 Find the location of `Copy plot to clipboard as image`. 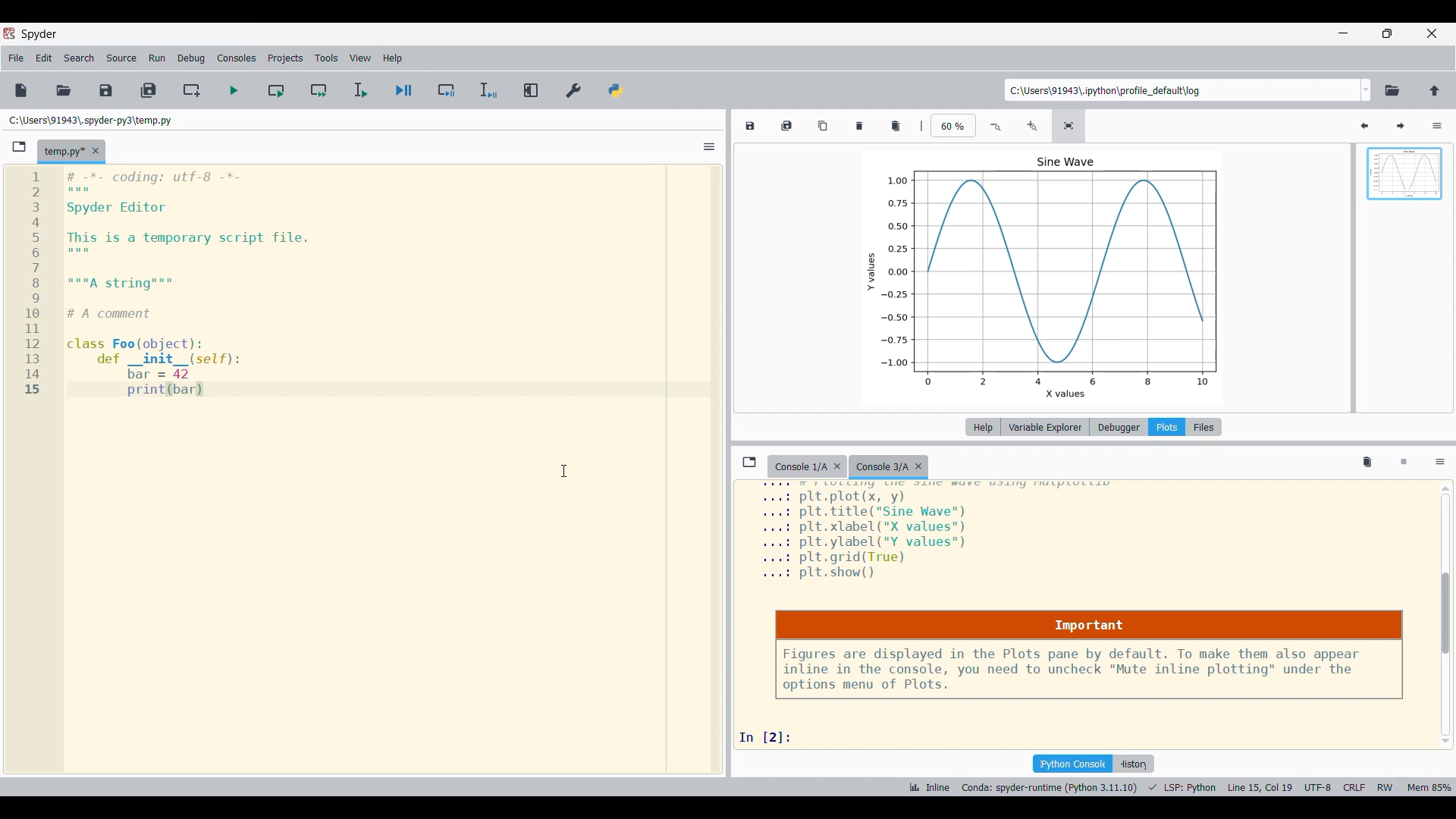

Copy plot to clipboard as image is located at coordinates (824, 125).